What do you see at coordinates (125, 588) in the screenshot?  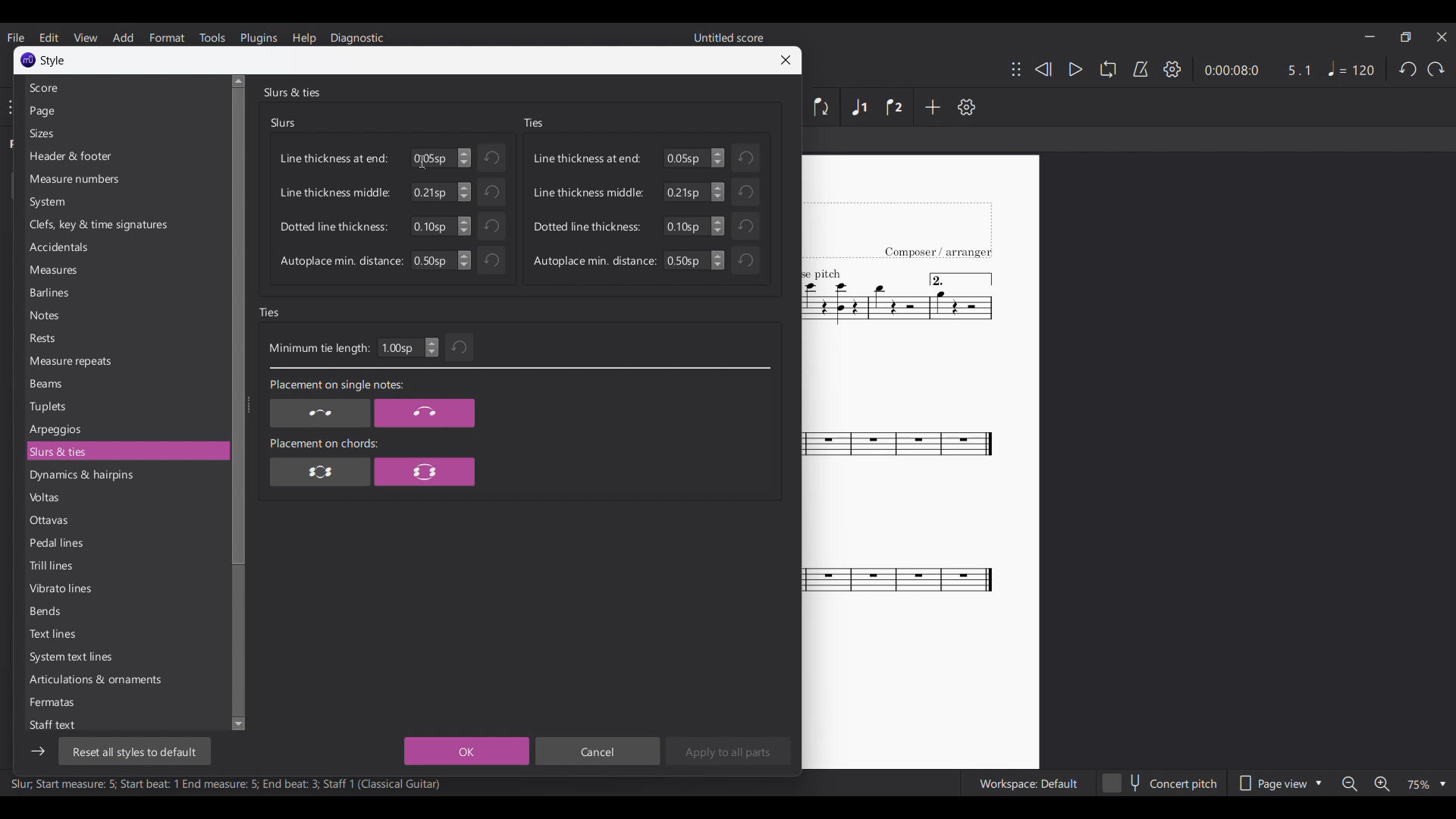 I see `Vibrato lines` at bounding box center [125, 588].